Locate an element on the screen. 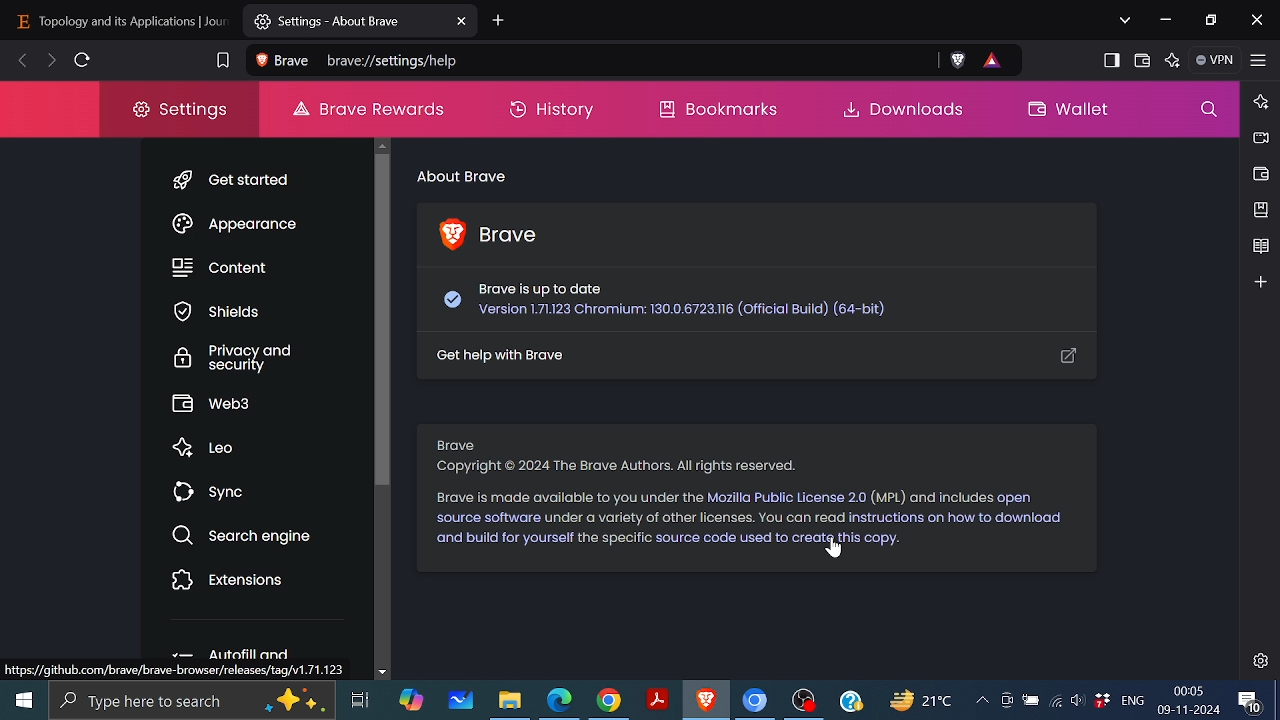 The width and height of the screenshot is (1280, 720). ) Brave is up to date
Version 171123 Chromium: 130.0.6723.116 (Official Build) (64-bit) is located at coordinates (674, 303).